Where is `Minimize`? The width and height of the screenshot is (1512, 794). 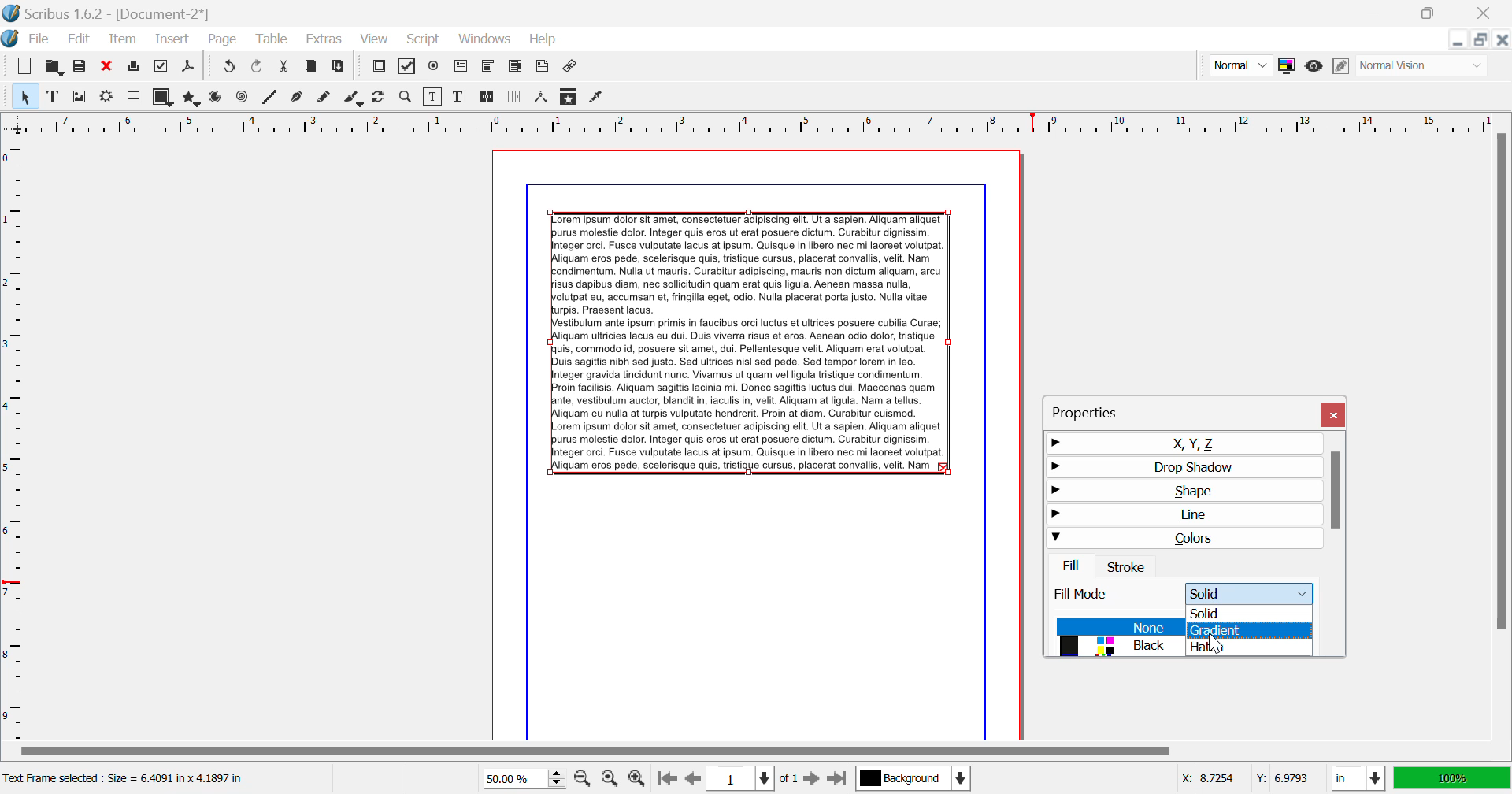 Minimize is located at coordinates (1432, 13).